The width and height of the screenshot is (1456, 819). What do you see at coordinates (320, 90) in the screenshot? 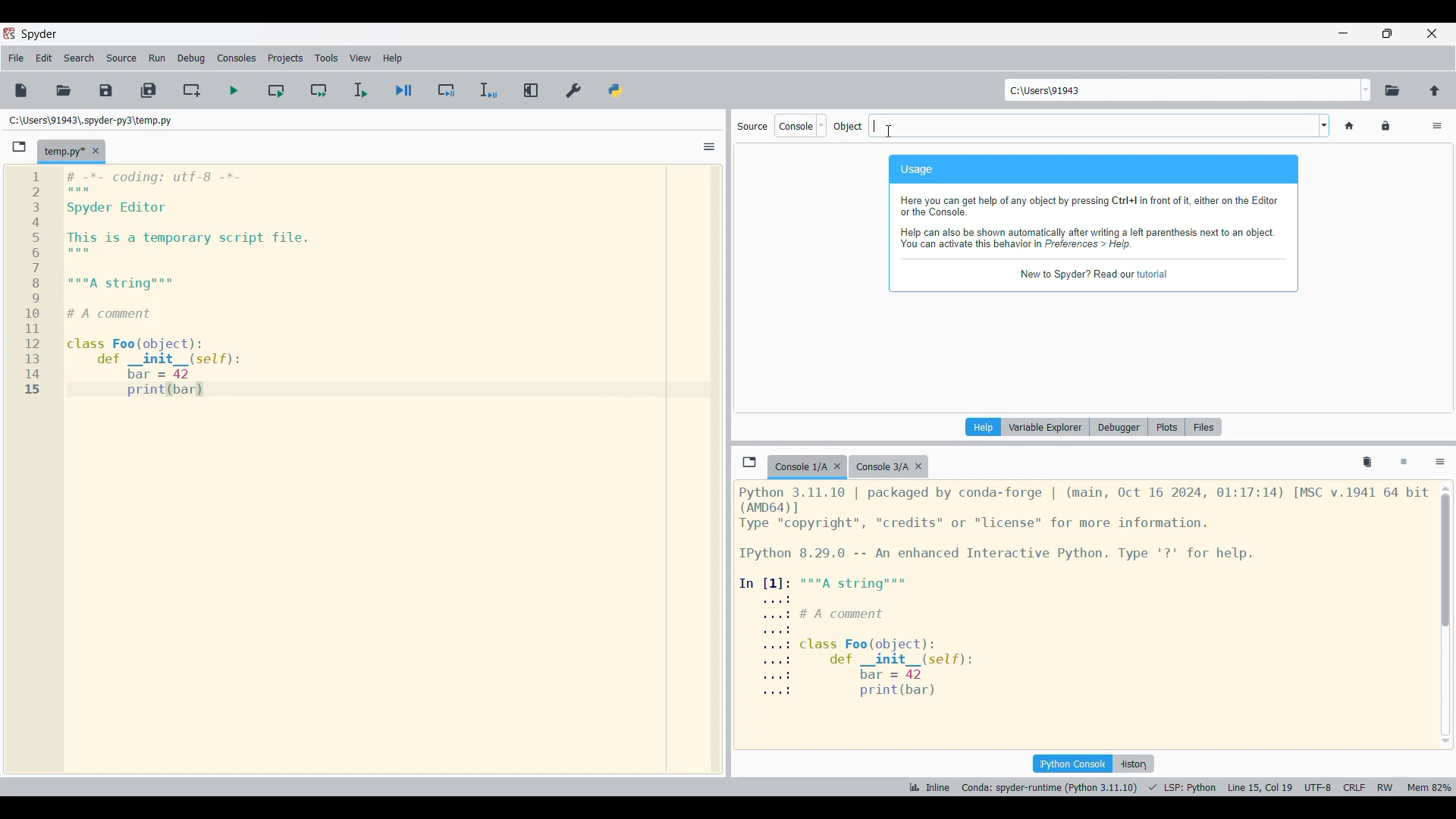
I see `Run current cell and go to next` at bounding box center [320, 90].